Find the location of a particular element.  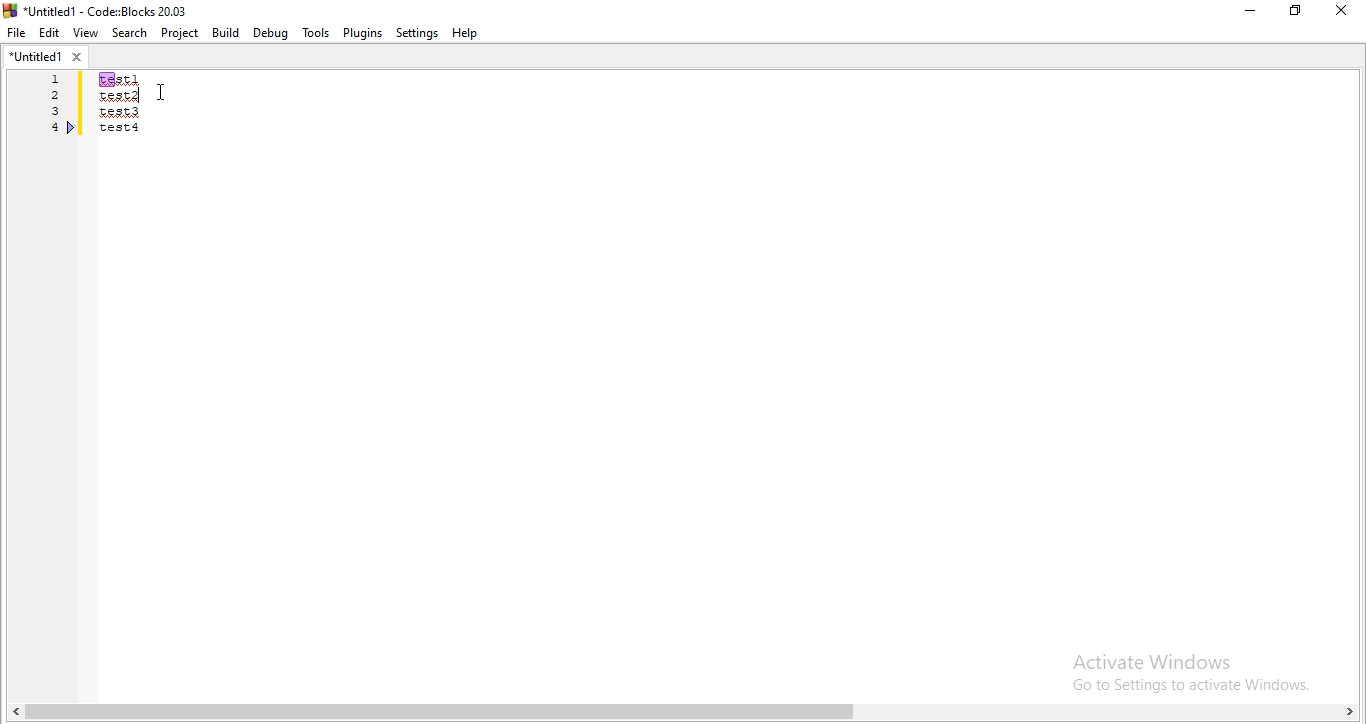

help is located at coordinates (467, 33).